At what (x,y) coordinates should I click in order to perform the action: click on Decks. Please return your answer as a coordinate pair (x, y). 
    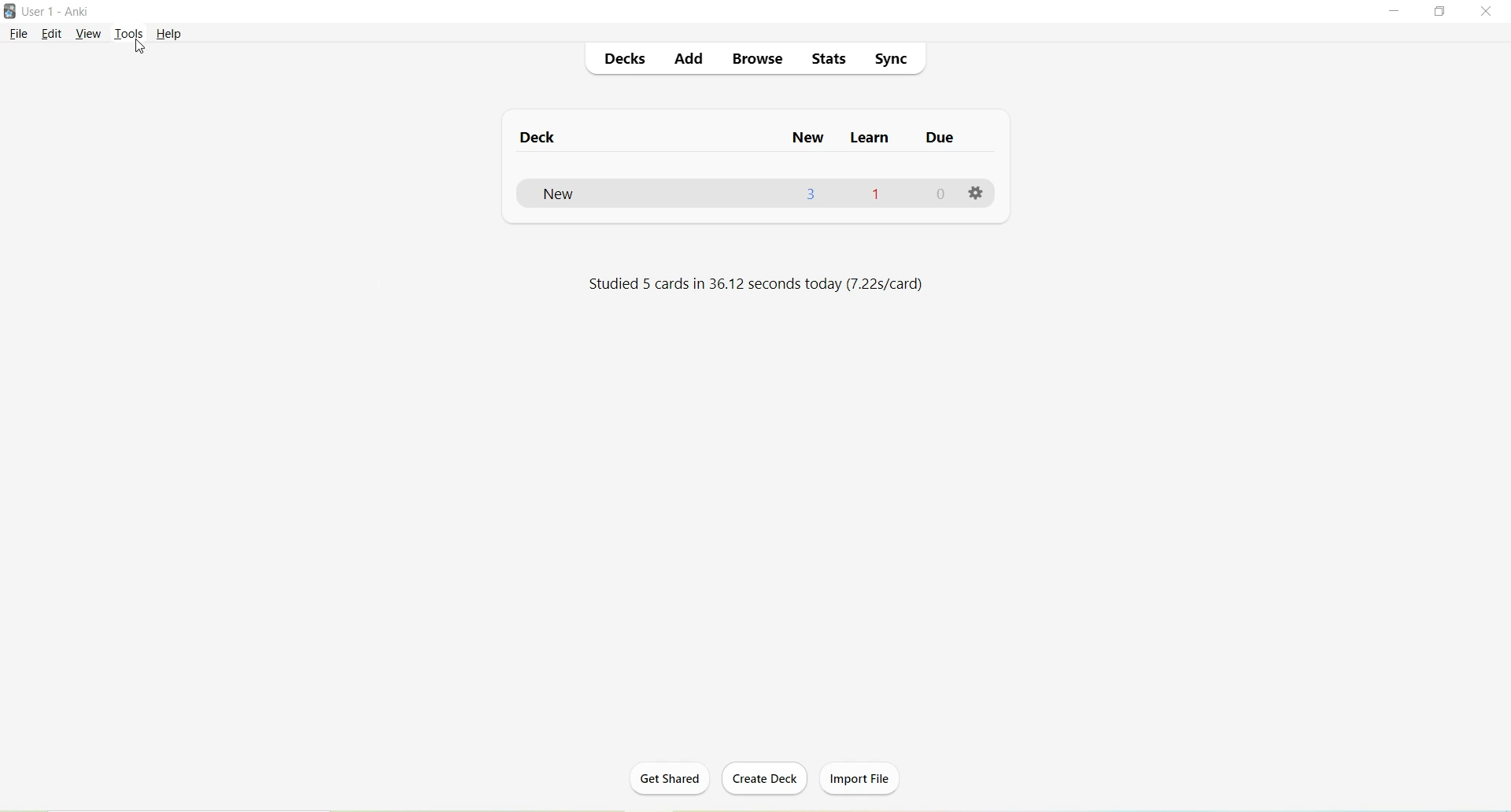
    Looking at the image, I should click on (626, 61).